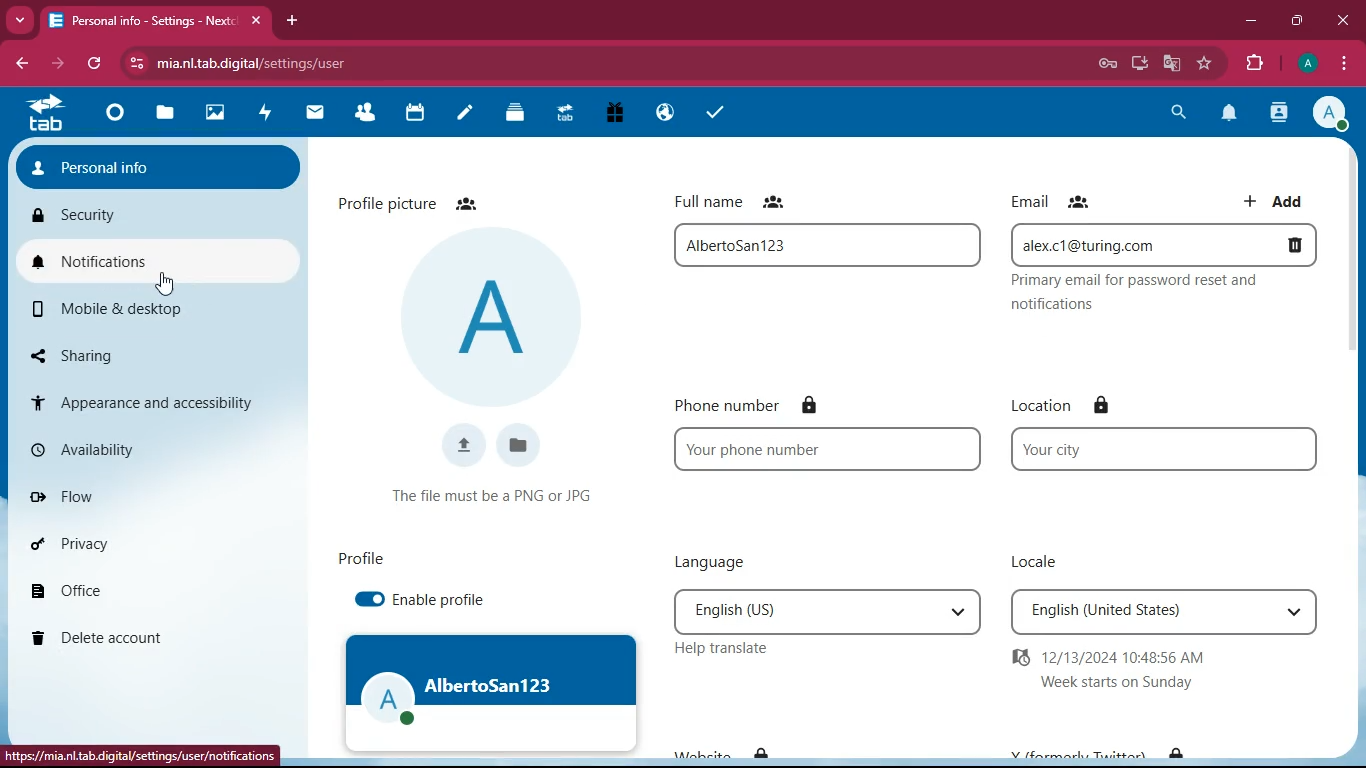 The height and width of the screenshot is (768, 1366). What do you see at coordinates (1295, 246) in the screenshot?
I see `delete` at bounding box center [1295, 246].